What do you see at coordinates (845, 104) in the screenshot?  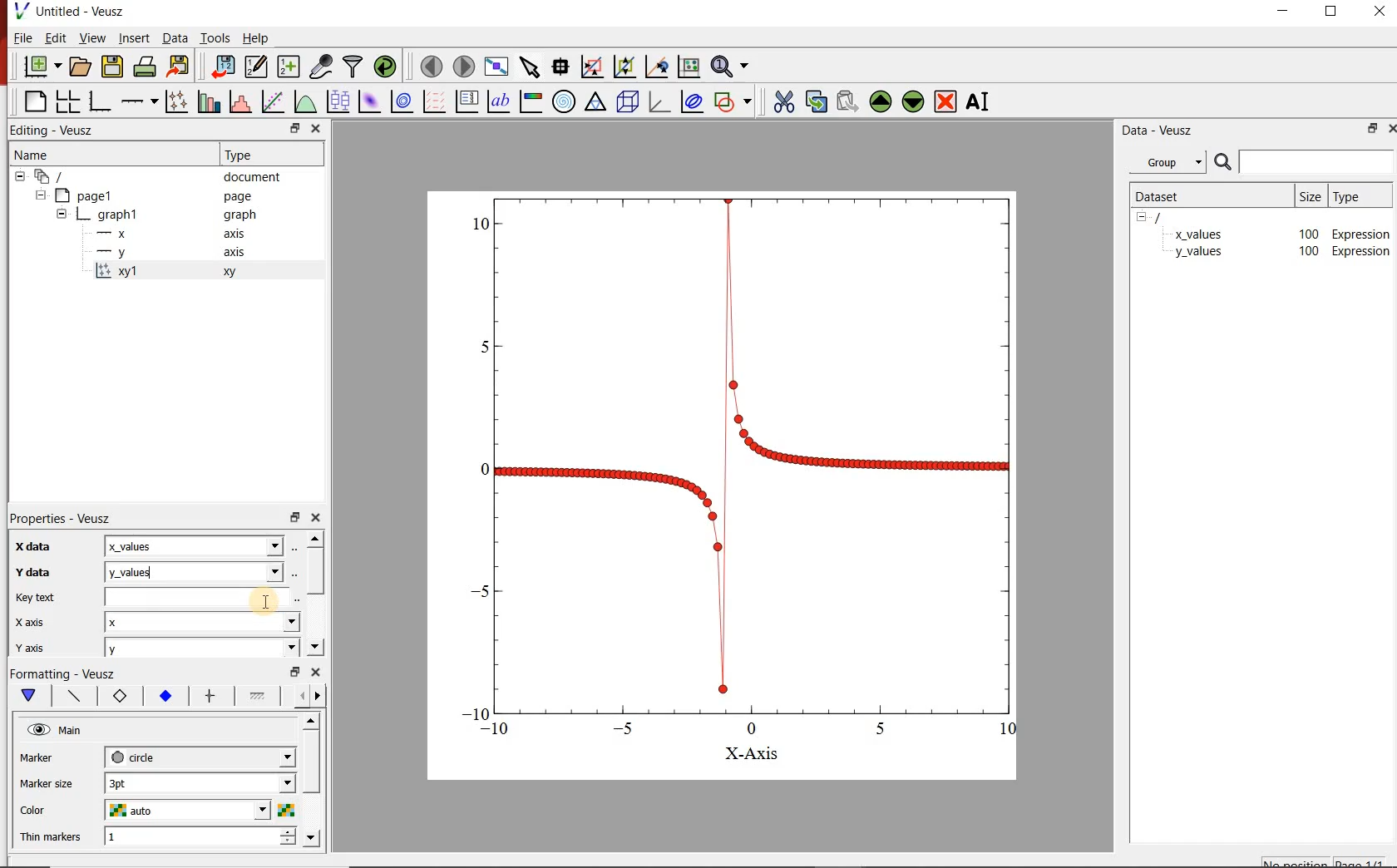 I see `paste the selected widget` at bounding box center [845, 104].